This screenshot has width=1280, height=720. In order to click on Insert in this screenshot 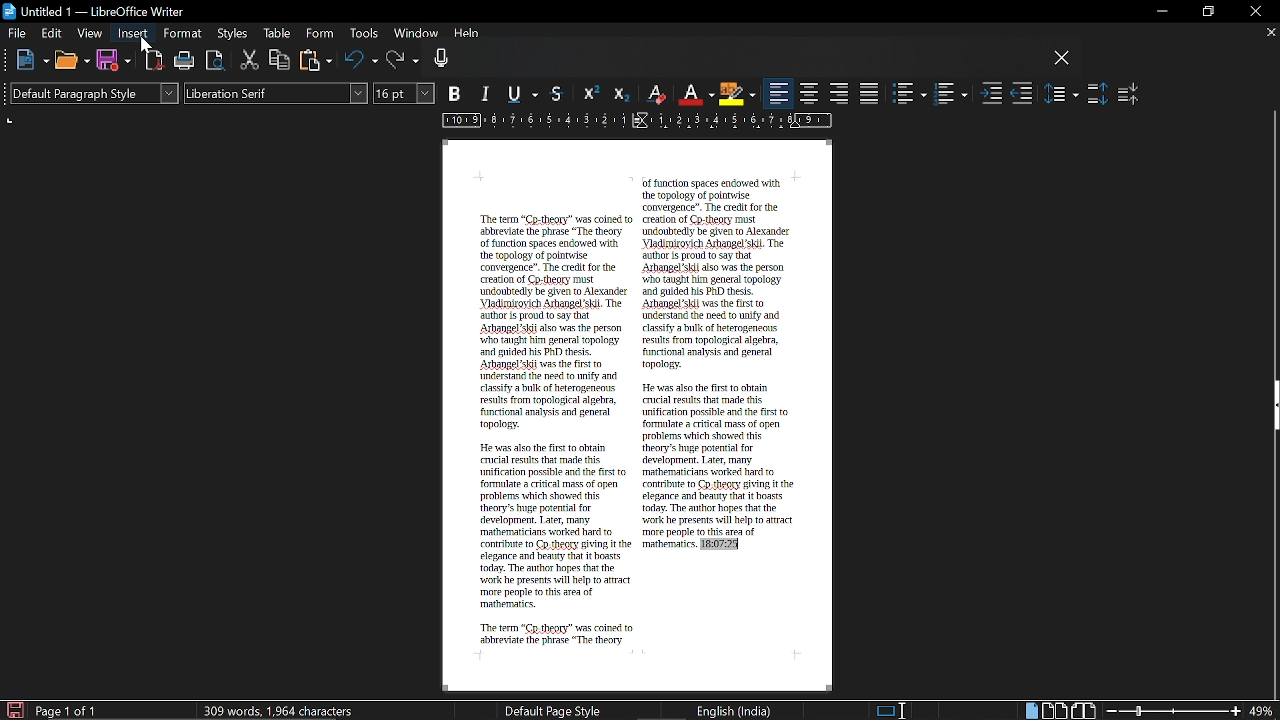, I will do `click(134, 34)`.